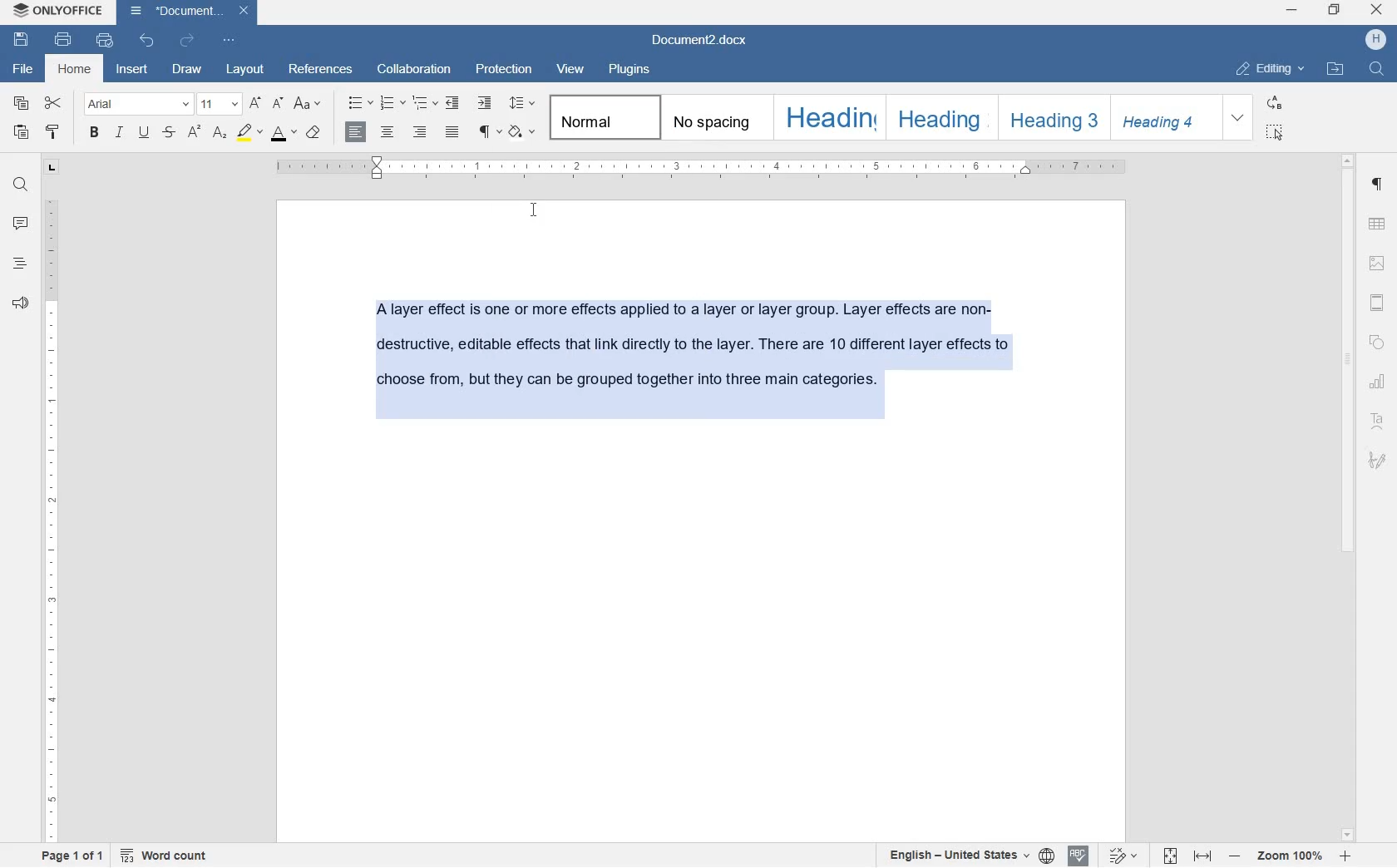 The height and width of the screenshot is (868, 1397). What do you see at coordinates (536, 211) in the screenshot?
I see `cursor` at bounding box center [536, 211].